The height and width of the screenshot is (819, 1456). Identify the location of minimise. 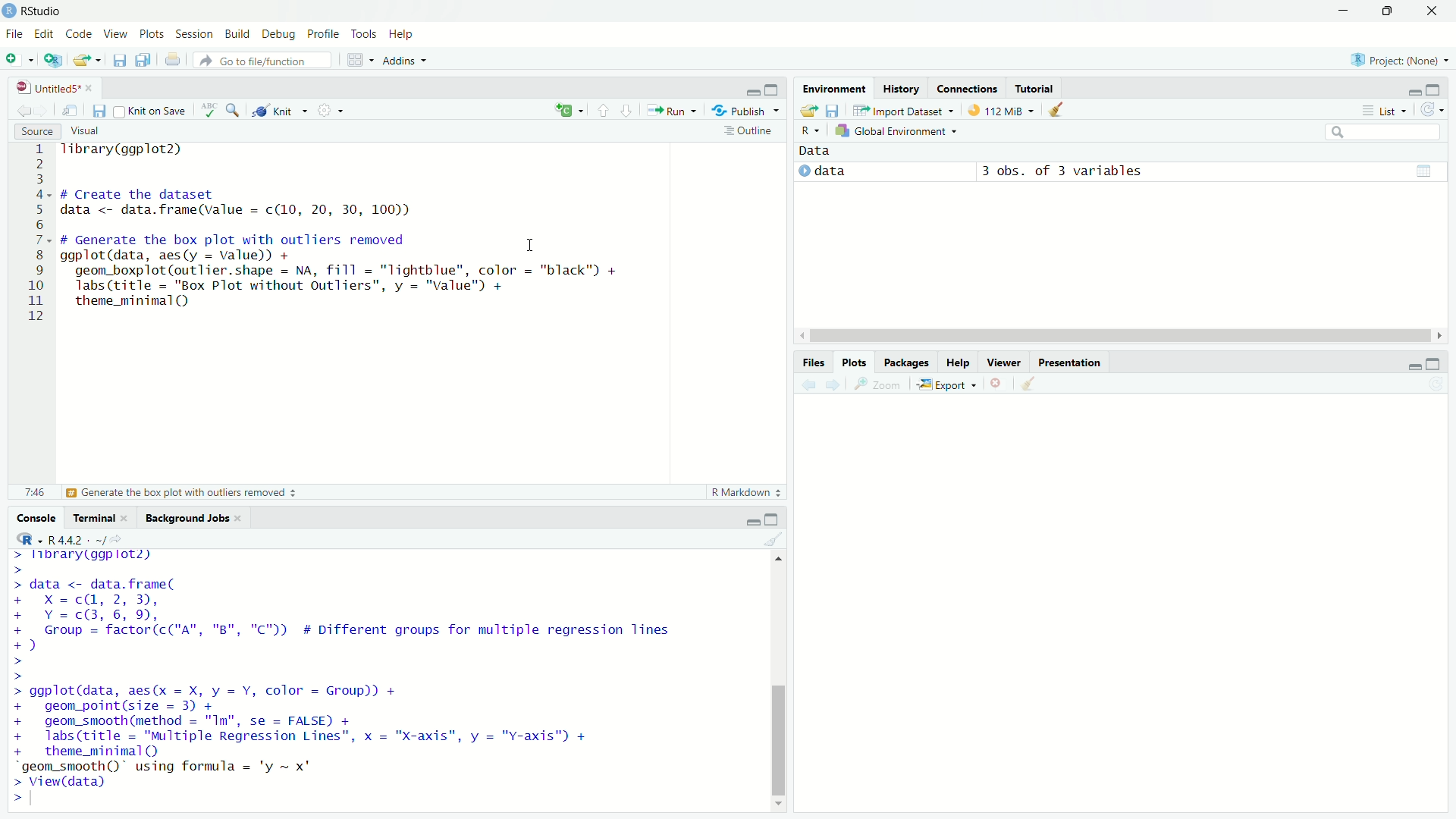
(755, 517).